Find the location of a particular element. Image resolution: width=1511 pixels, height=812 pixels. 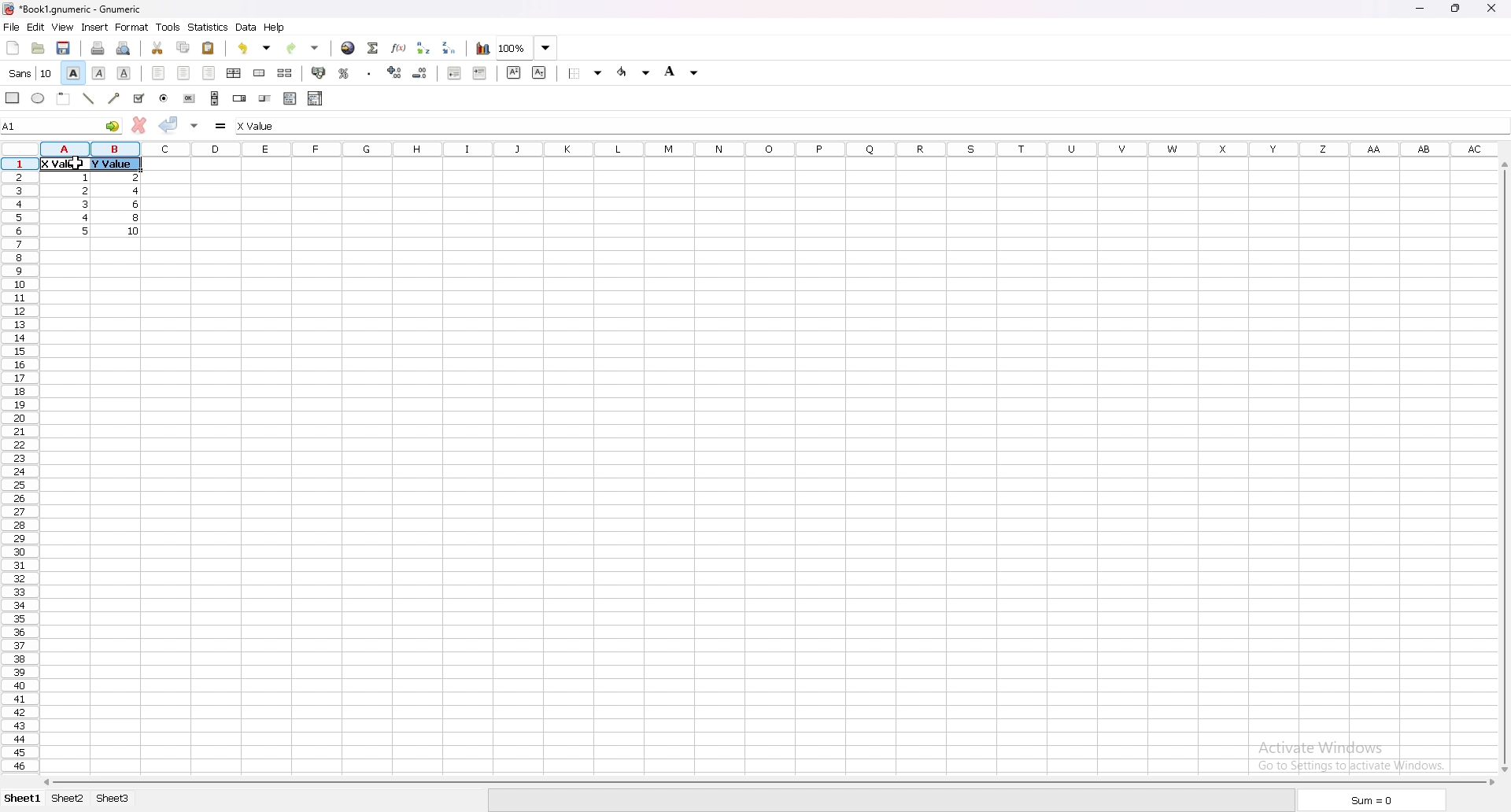

open is located at coordinates (38, 48).